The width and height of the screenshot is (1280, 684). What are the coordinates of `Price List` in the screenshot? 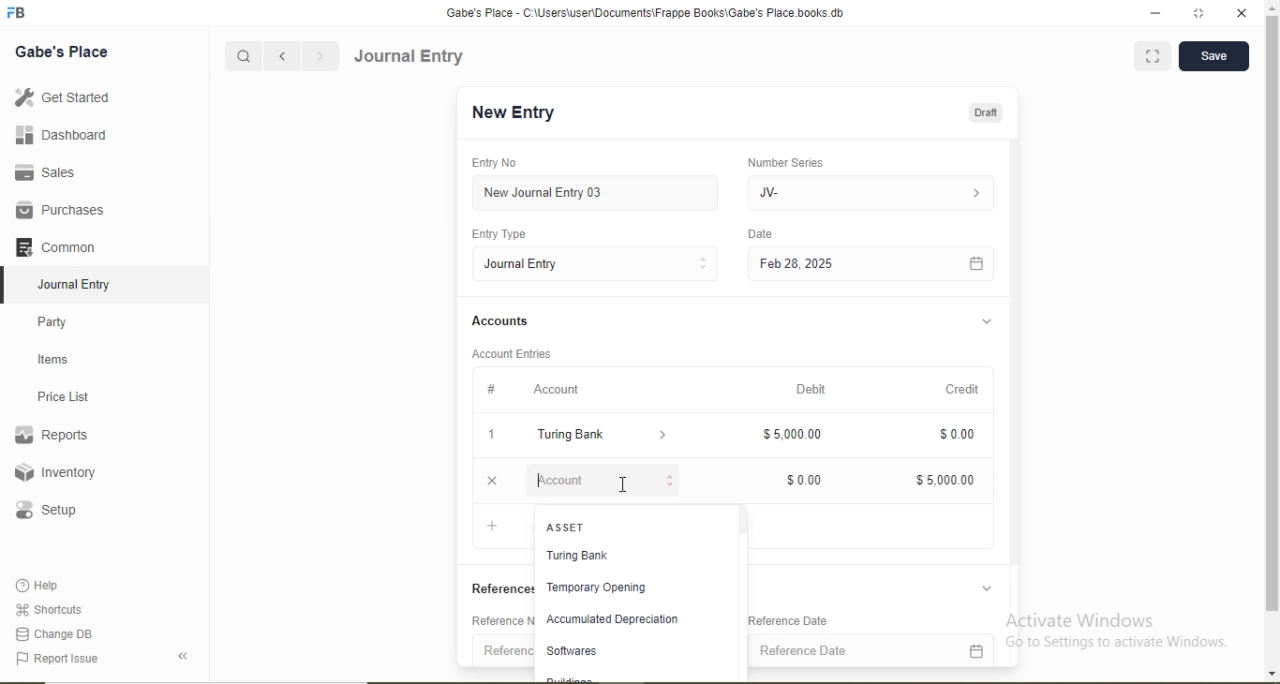 It's located at (62, 397).